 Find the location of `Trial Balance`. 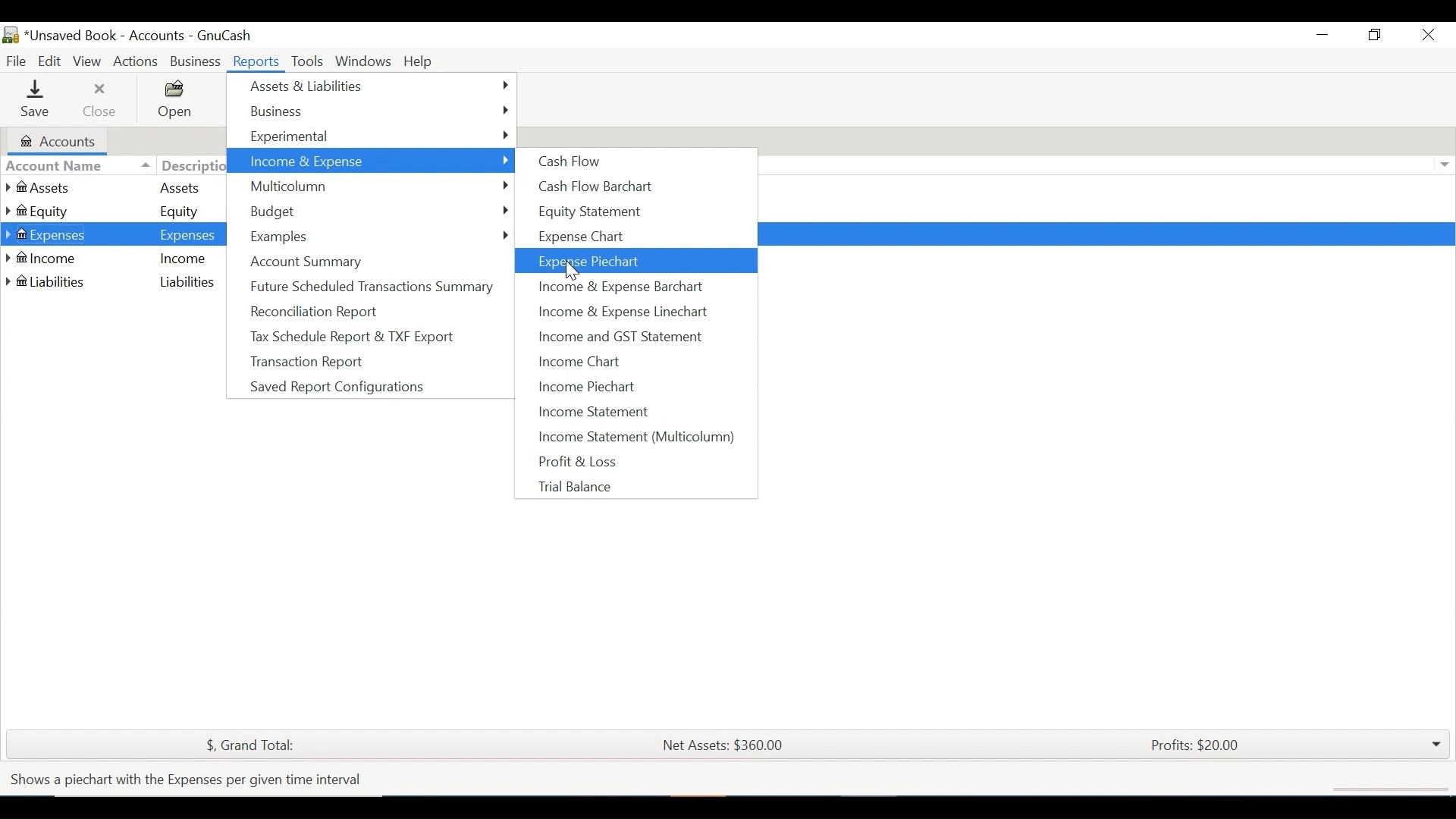

Trial Balance is located at coordinates (571, 488).